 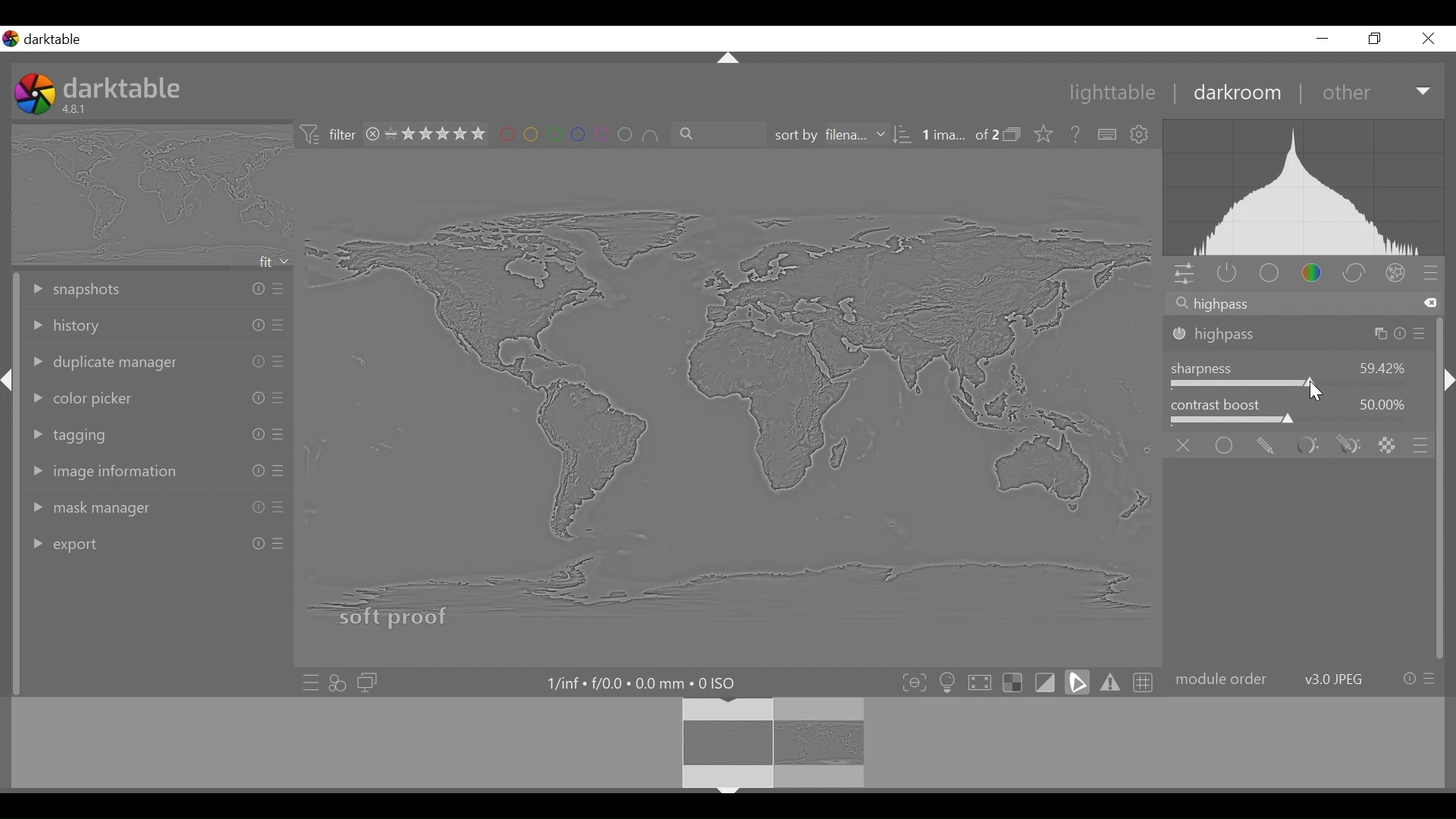 I want to click on expand/collapse, so click(x=9, y=382).